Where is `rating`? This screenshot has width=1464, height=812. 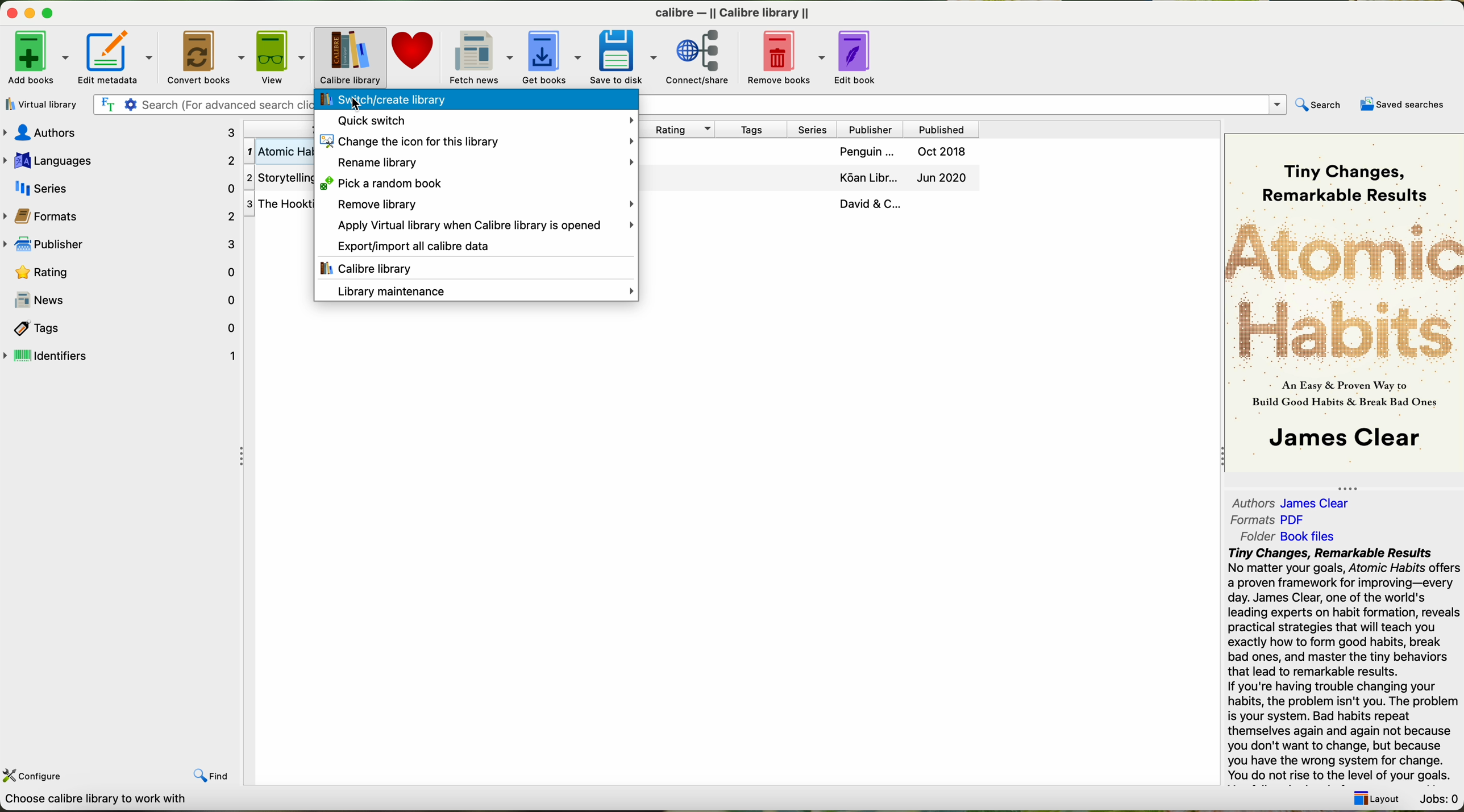
rating is located at coordinates (673, 128).